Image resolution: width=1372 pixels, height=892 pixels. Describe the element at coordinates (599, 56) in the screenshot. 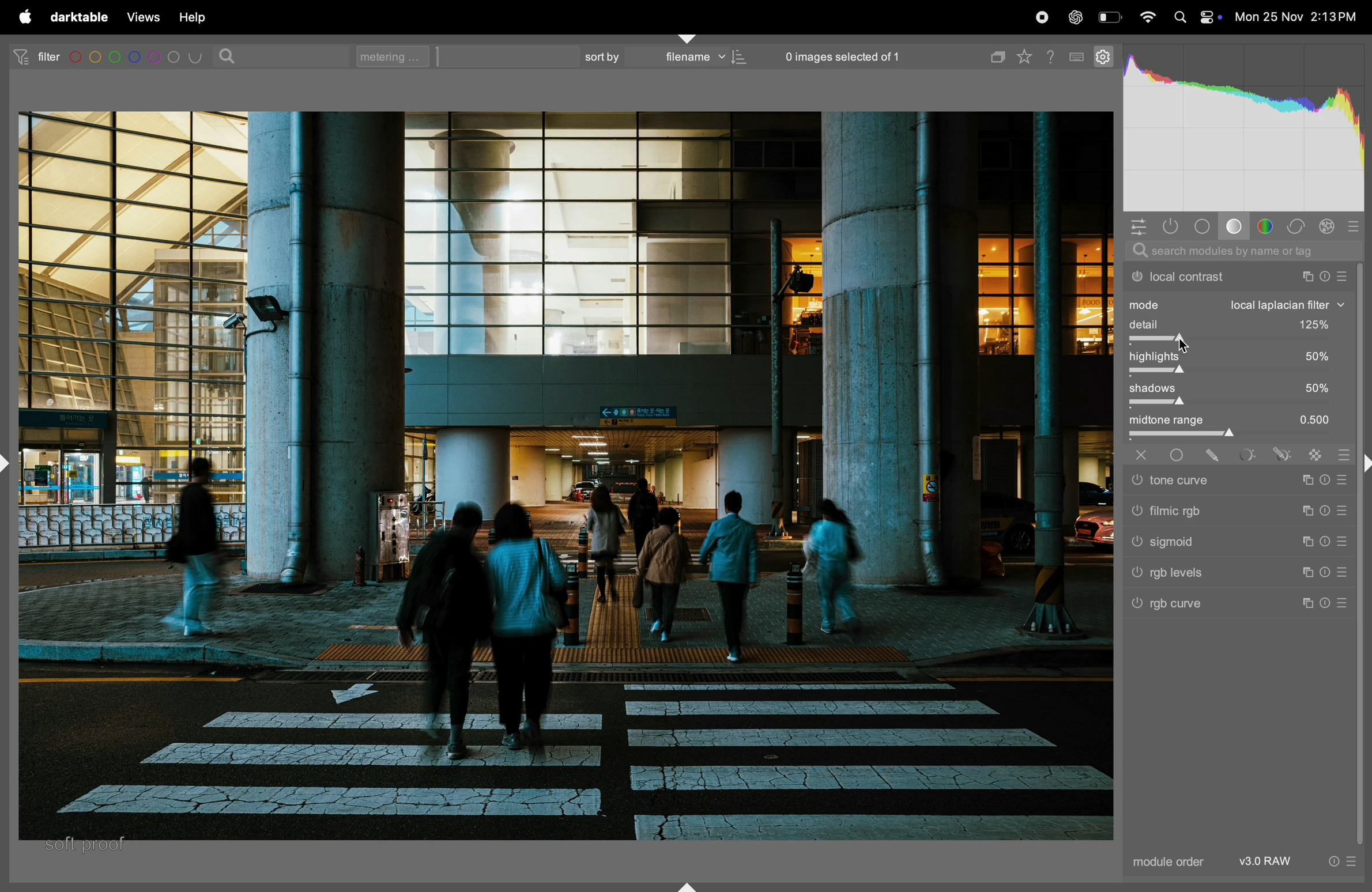

I see `sort` at that location.